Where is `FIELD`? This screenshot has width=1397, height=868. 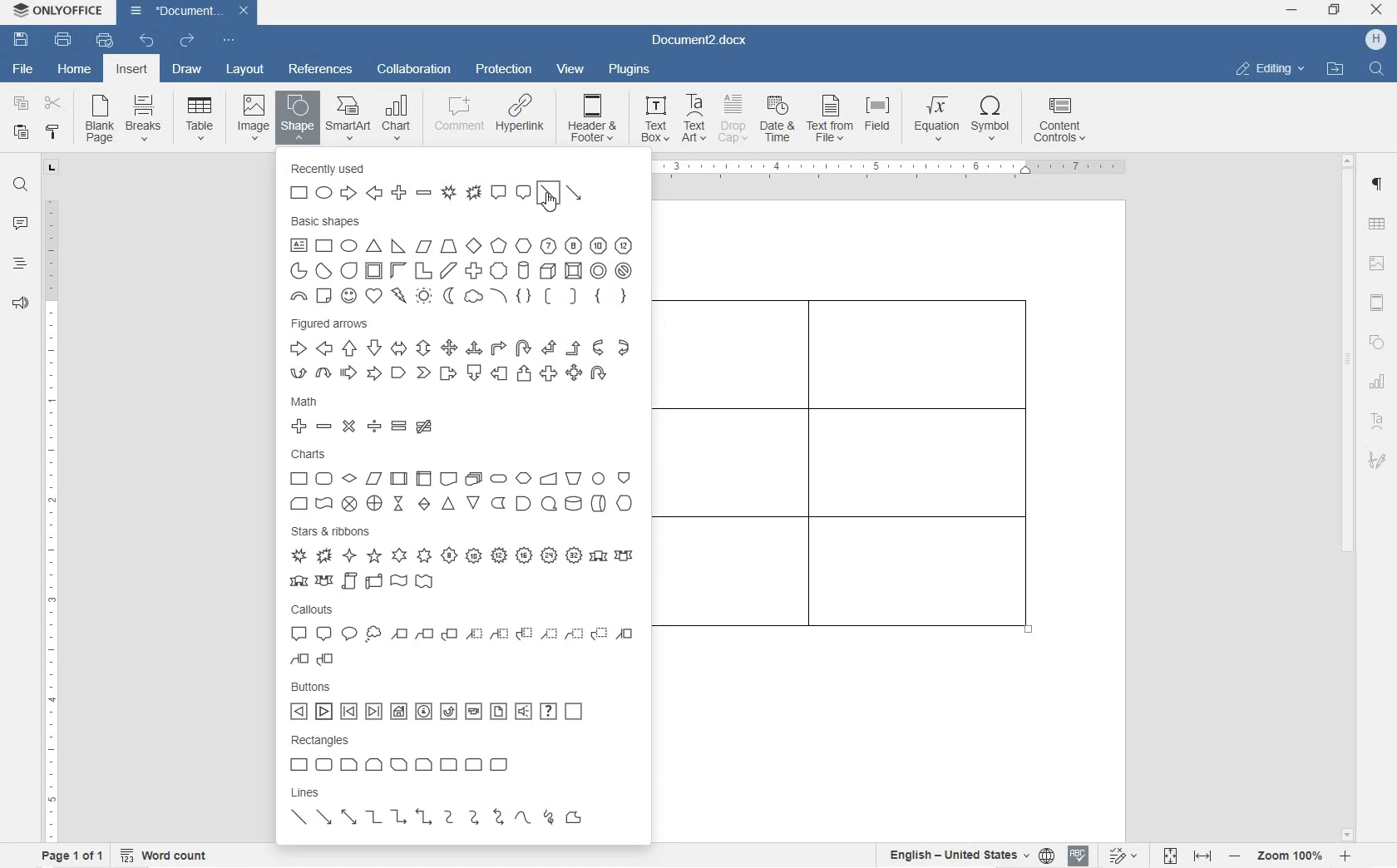 FIELD is located at coordinates (881, 121).